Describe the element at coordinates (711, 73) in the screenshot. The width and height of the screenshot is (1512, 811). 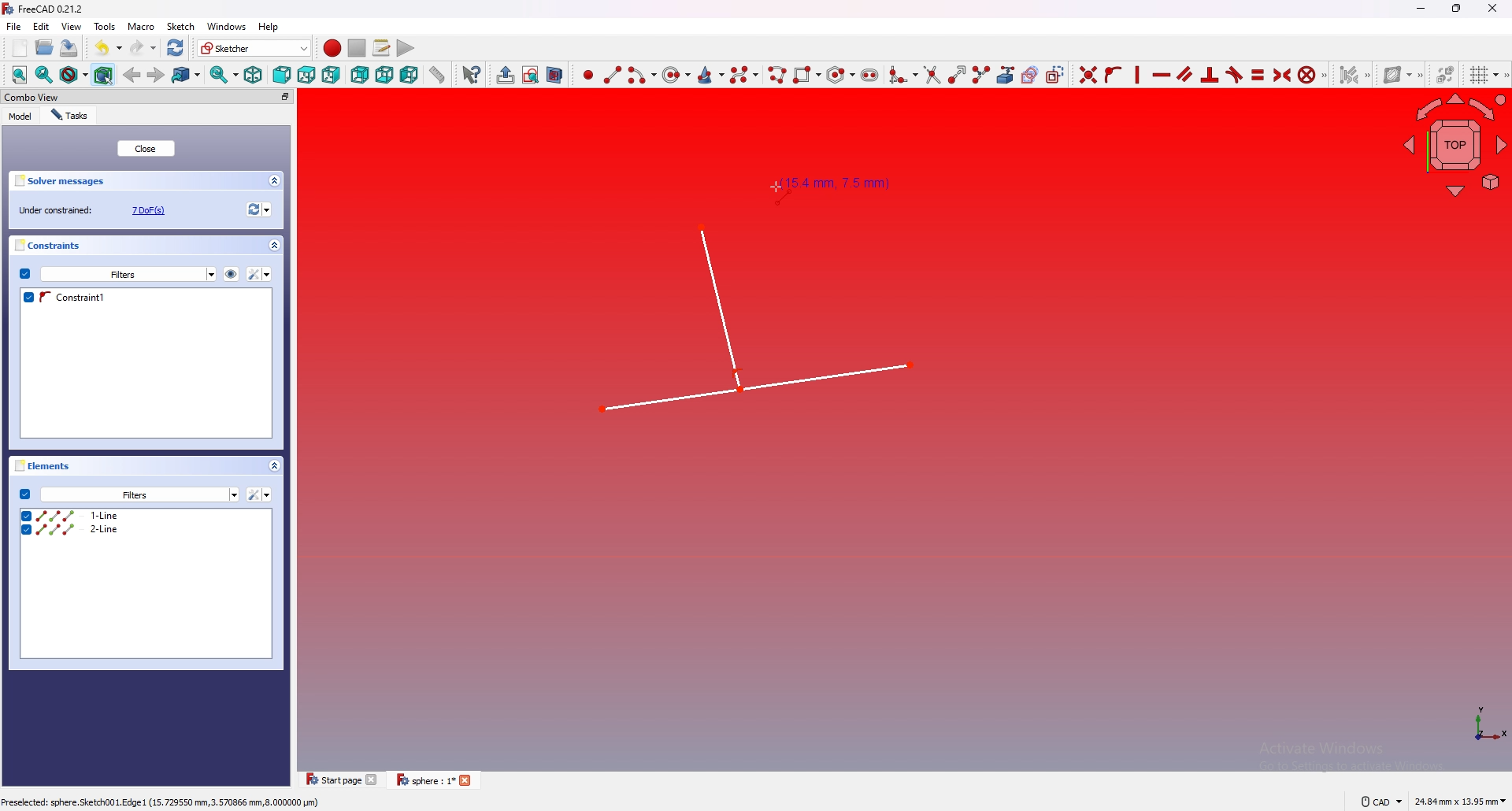
I see `Create conic` at that location.